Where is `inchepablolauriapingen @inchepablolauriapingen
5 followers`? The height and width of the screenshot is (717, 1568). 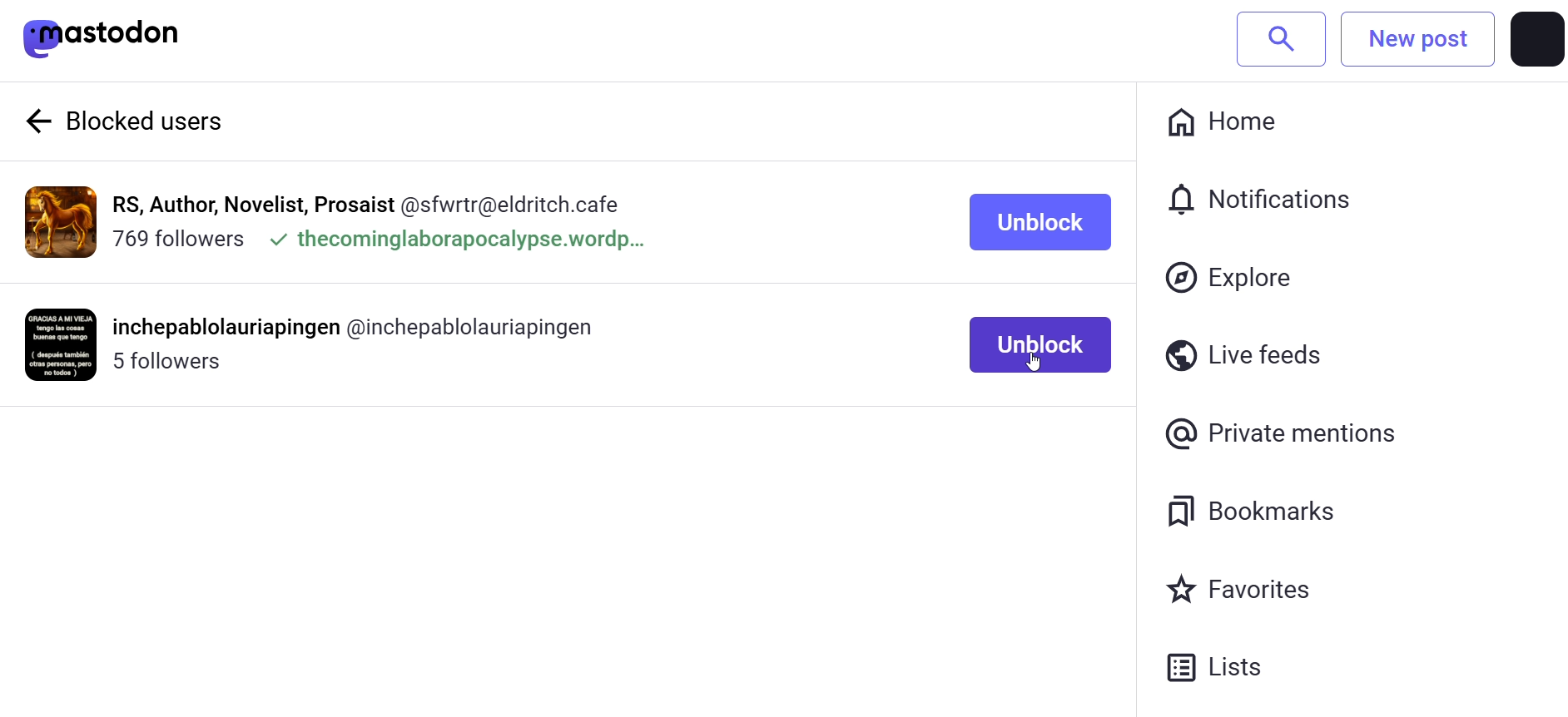 inchepablolauriapingen @inchepablolauriapingen
5 followers is located at coordinates (375, 342).